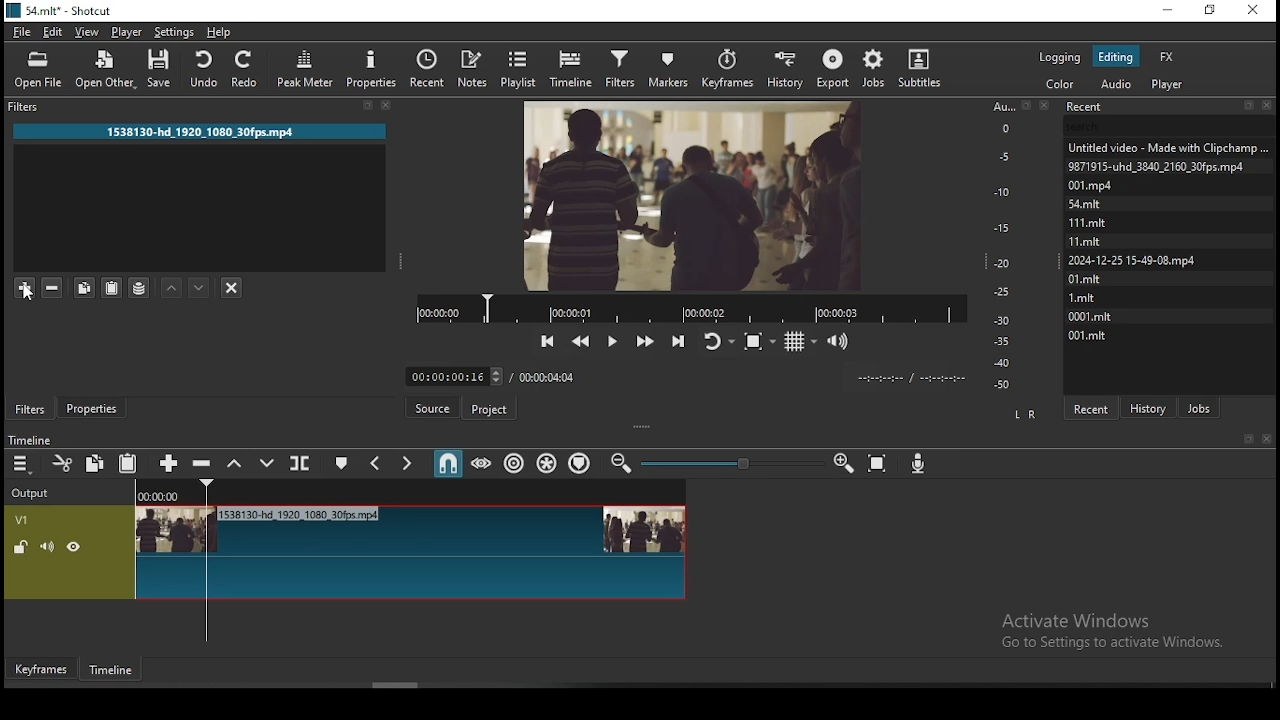 This screenshot has height=720, width=1280. I want to click on skip to the previous point, so click(548, 342).